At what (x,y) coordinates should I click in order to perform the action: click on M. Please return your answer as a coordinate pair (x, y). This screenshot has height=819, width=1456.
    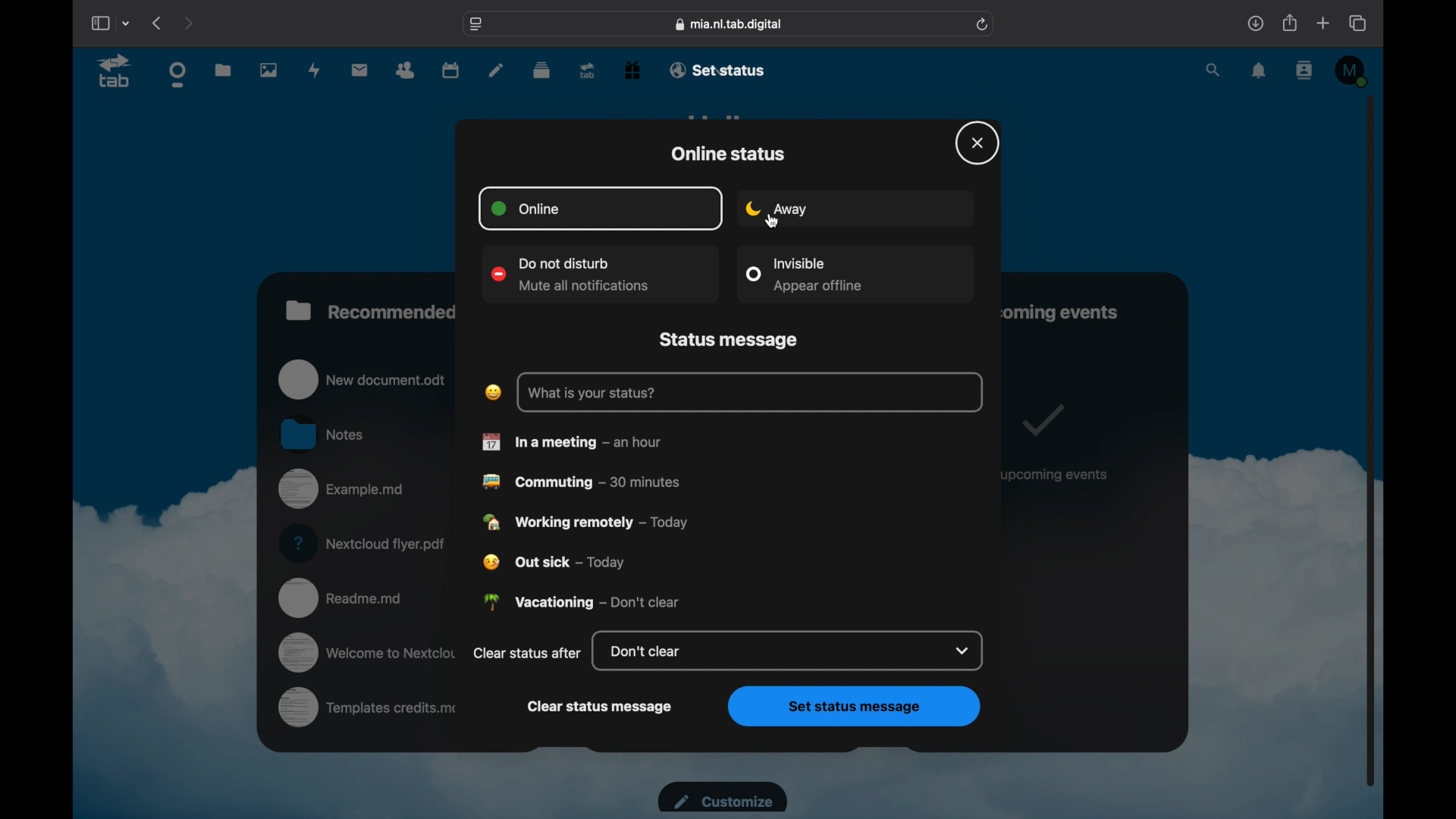
    Looking at the image, I should click on (1353, 71).